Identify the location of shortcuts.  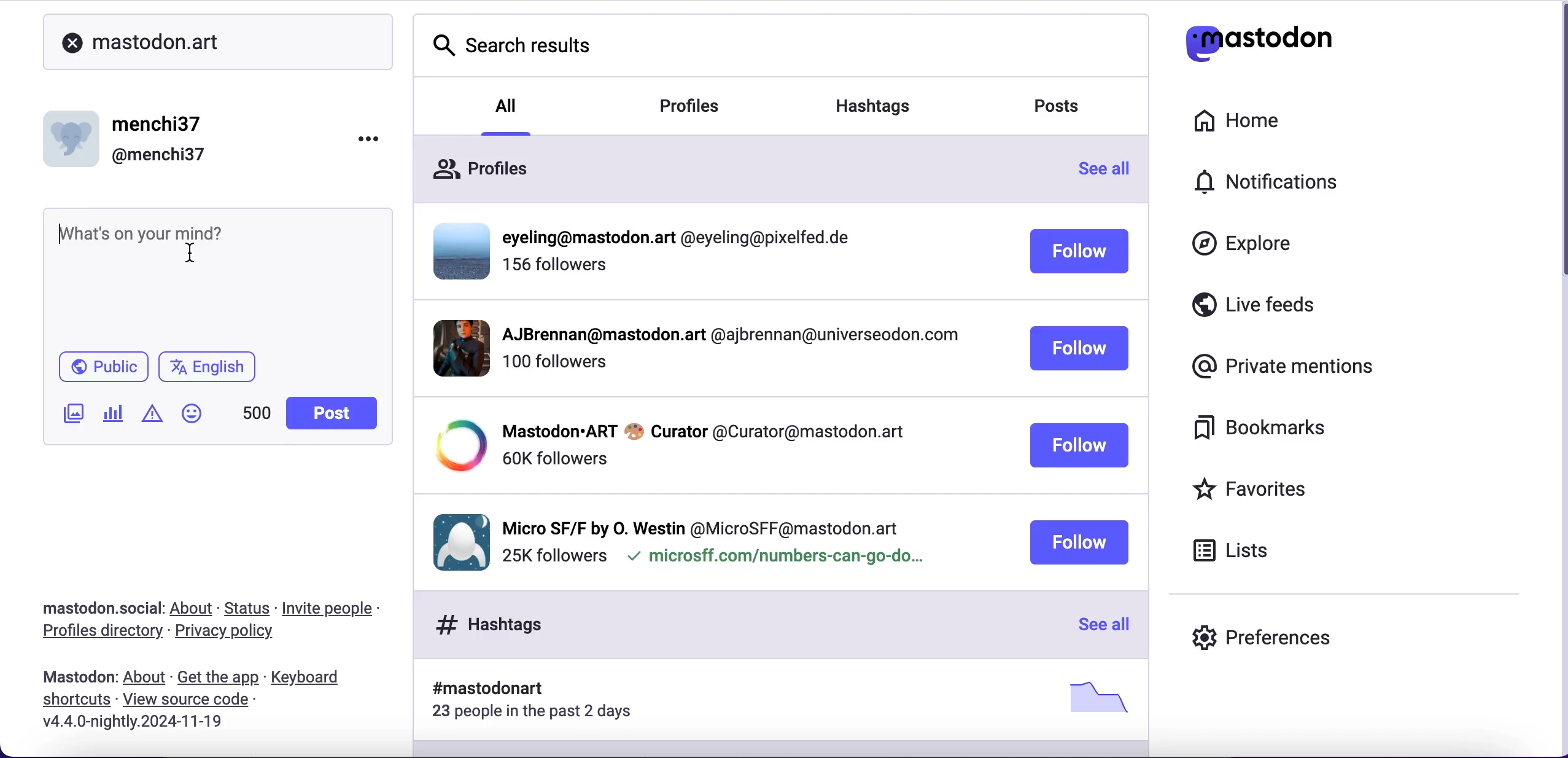
(73, 702).